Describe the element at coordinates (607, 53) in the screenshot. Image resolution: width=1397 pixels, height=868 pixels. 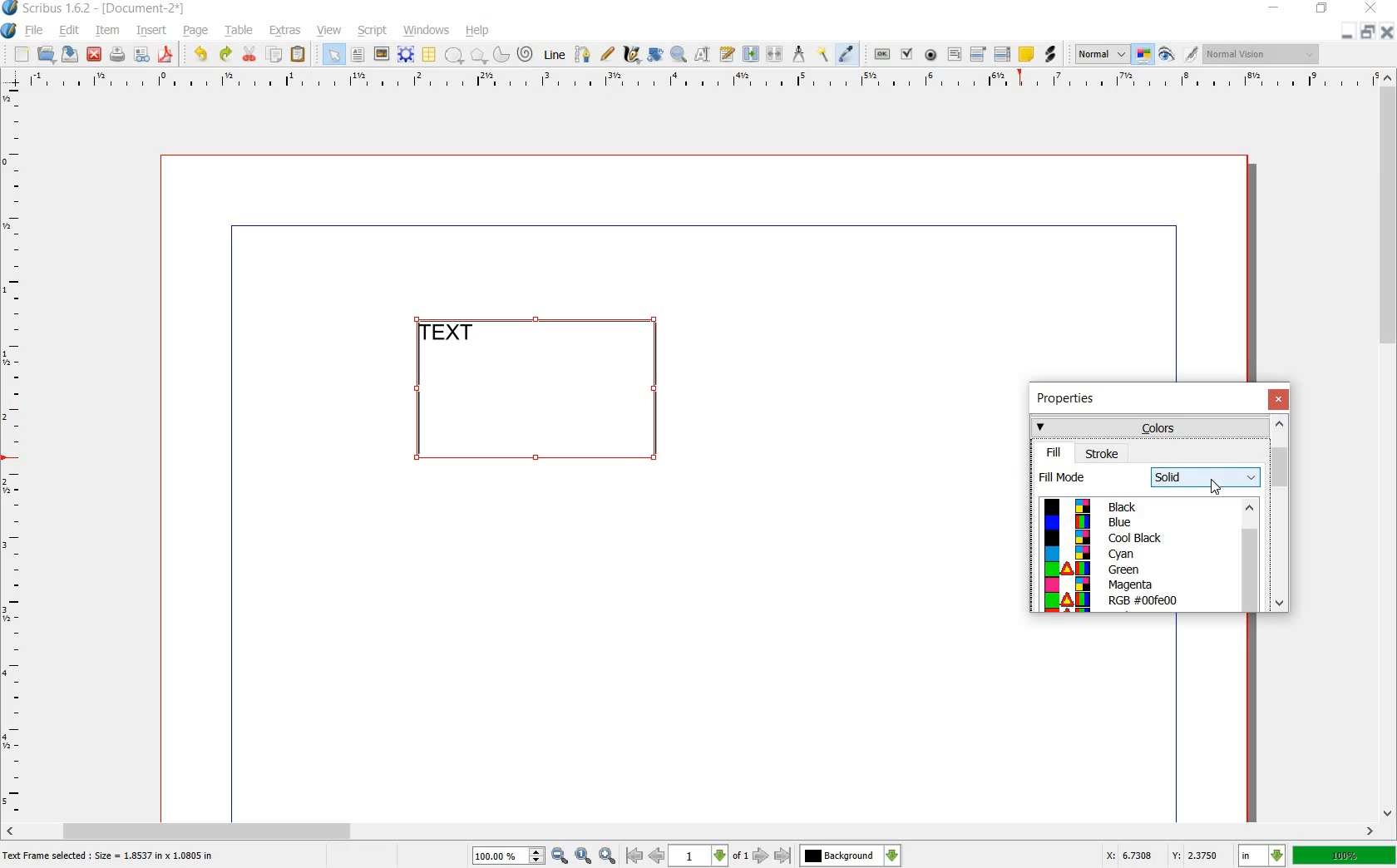
I see `freehand line` at that location.